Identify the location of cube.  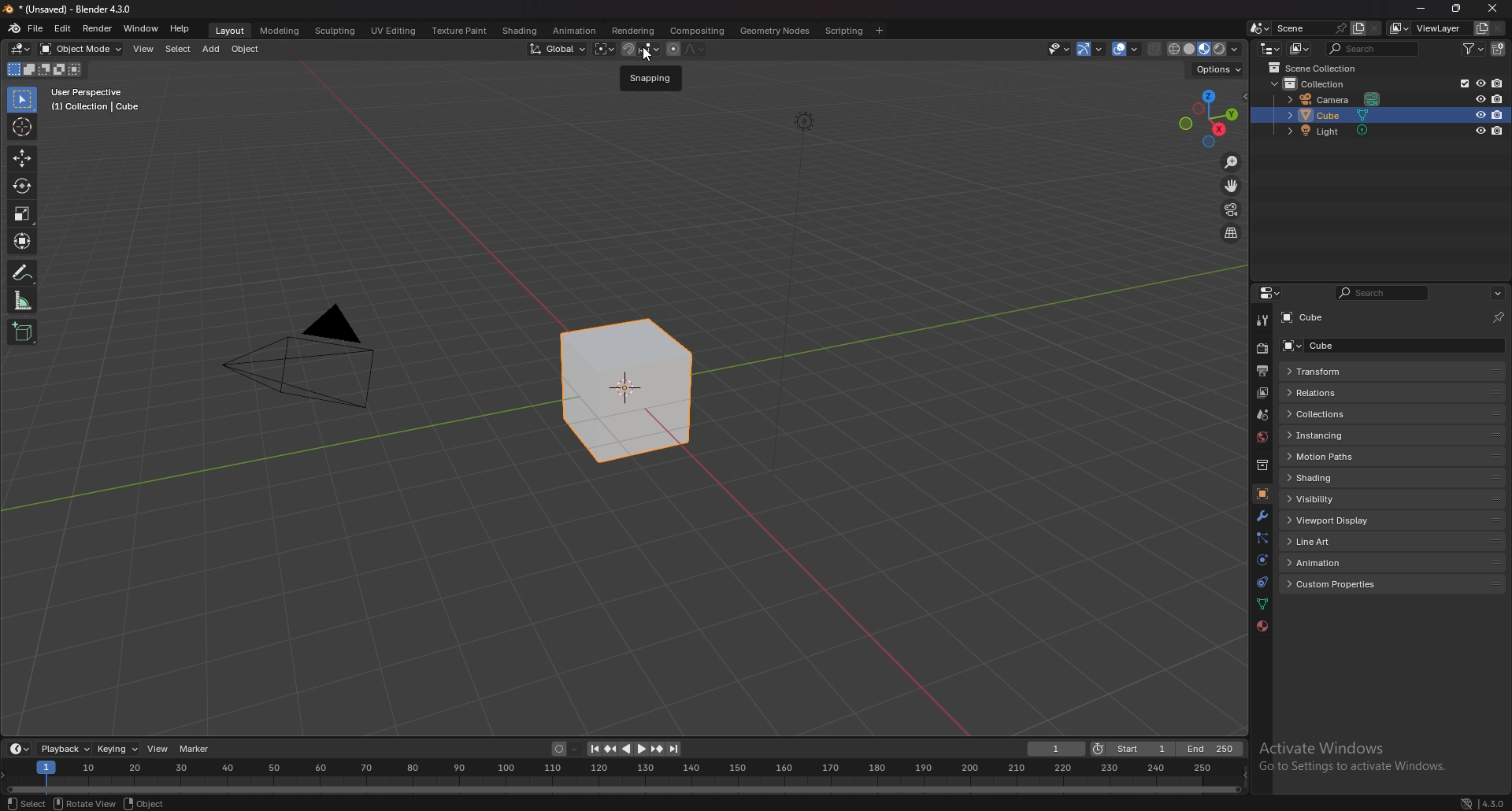
(1340, 345).